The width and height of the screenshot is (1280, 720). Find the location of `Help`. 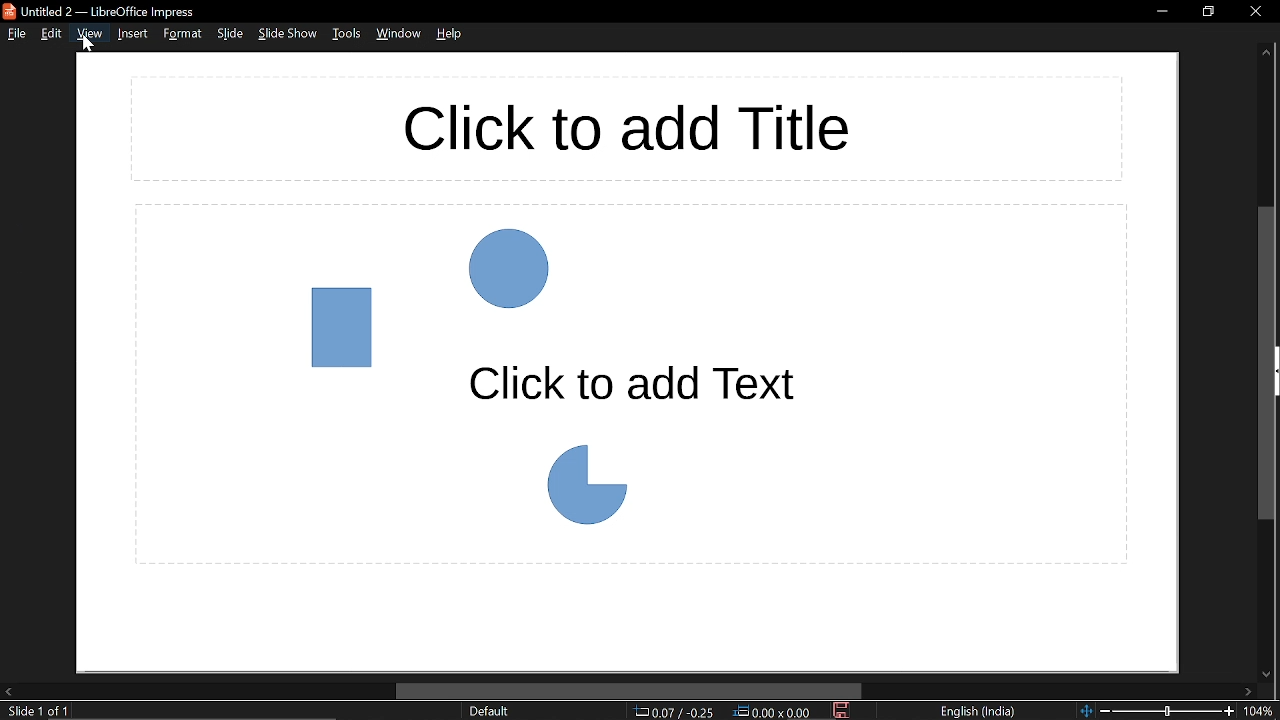

Help is located at coordinates (451, 37).